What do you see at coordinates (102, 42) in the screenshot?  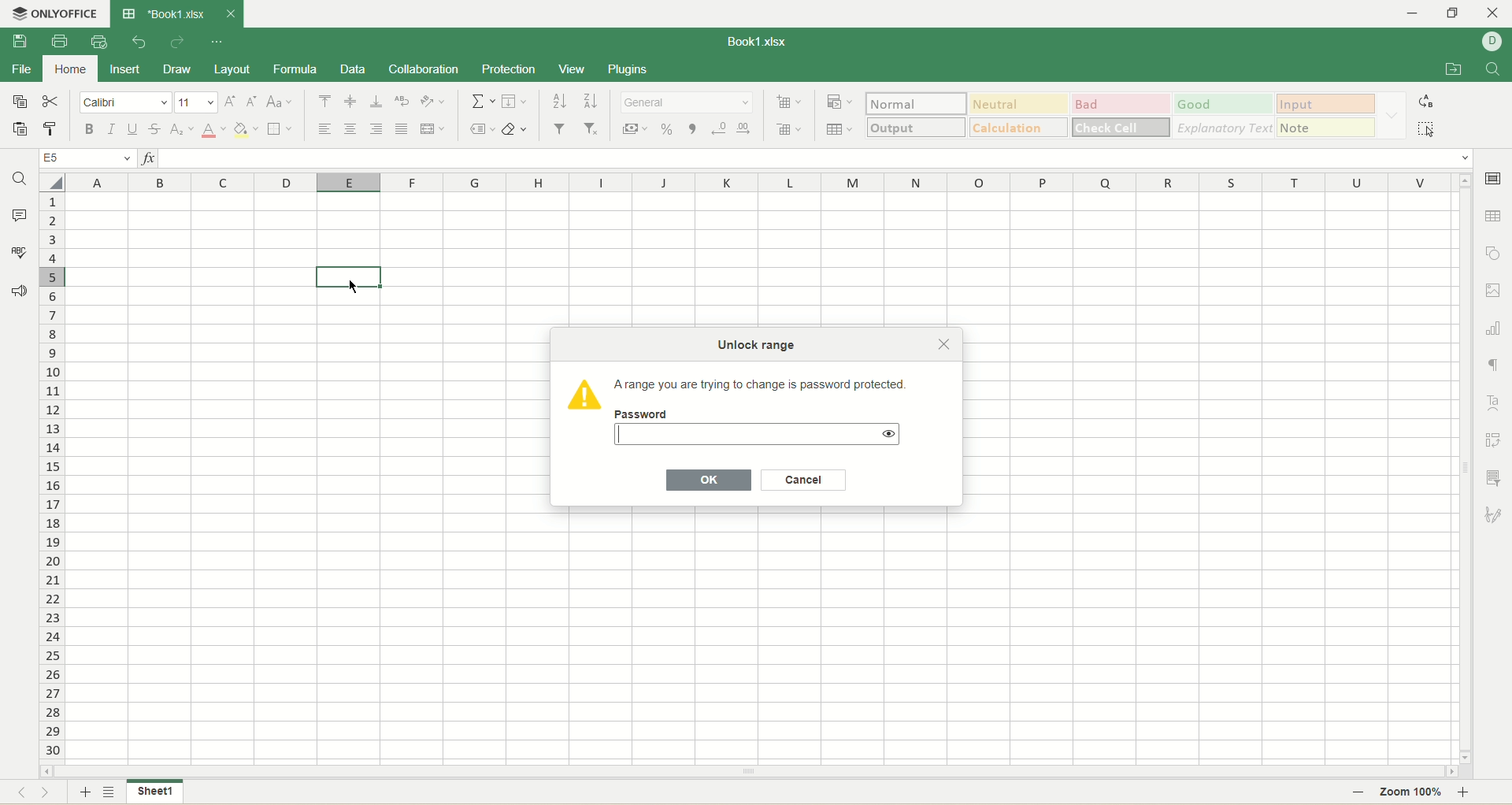 I see `quick print` at bounding box center [102, 42].